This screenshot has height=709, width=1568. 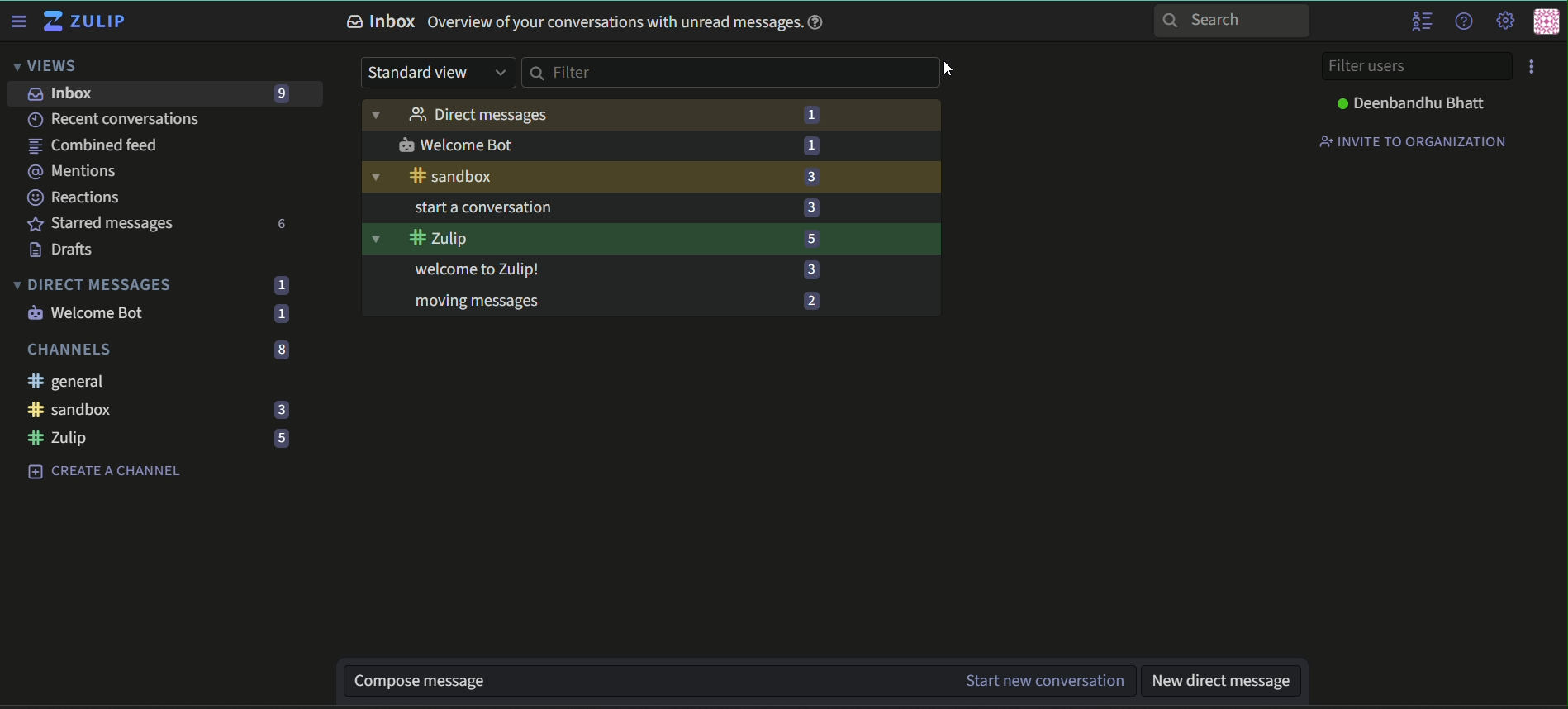 I want to click on new direct message, so click(x=1219, y=683).